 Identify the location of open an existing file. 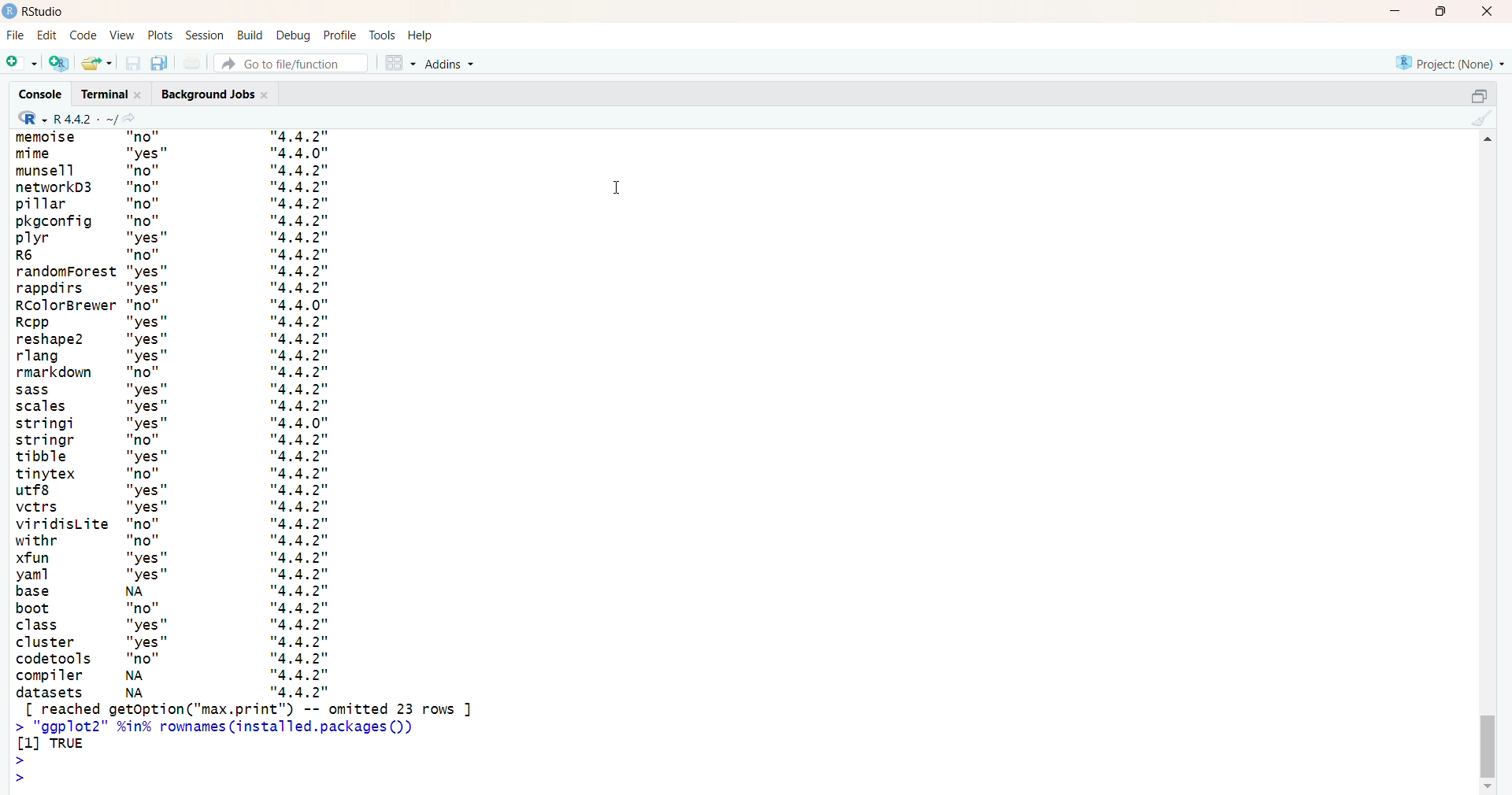
(98, 62).